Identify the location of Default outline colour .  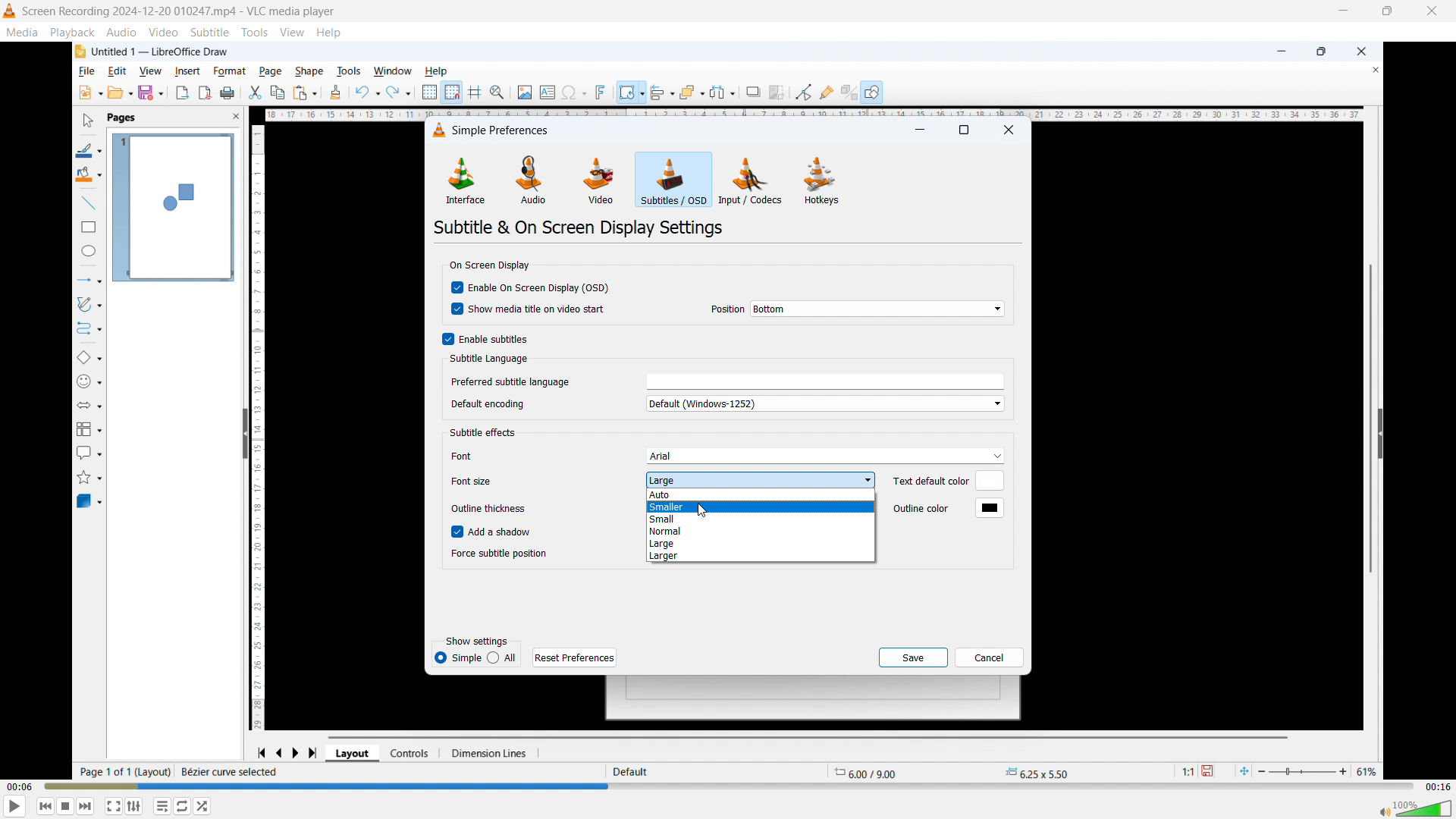
(990, 508).